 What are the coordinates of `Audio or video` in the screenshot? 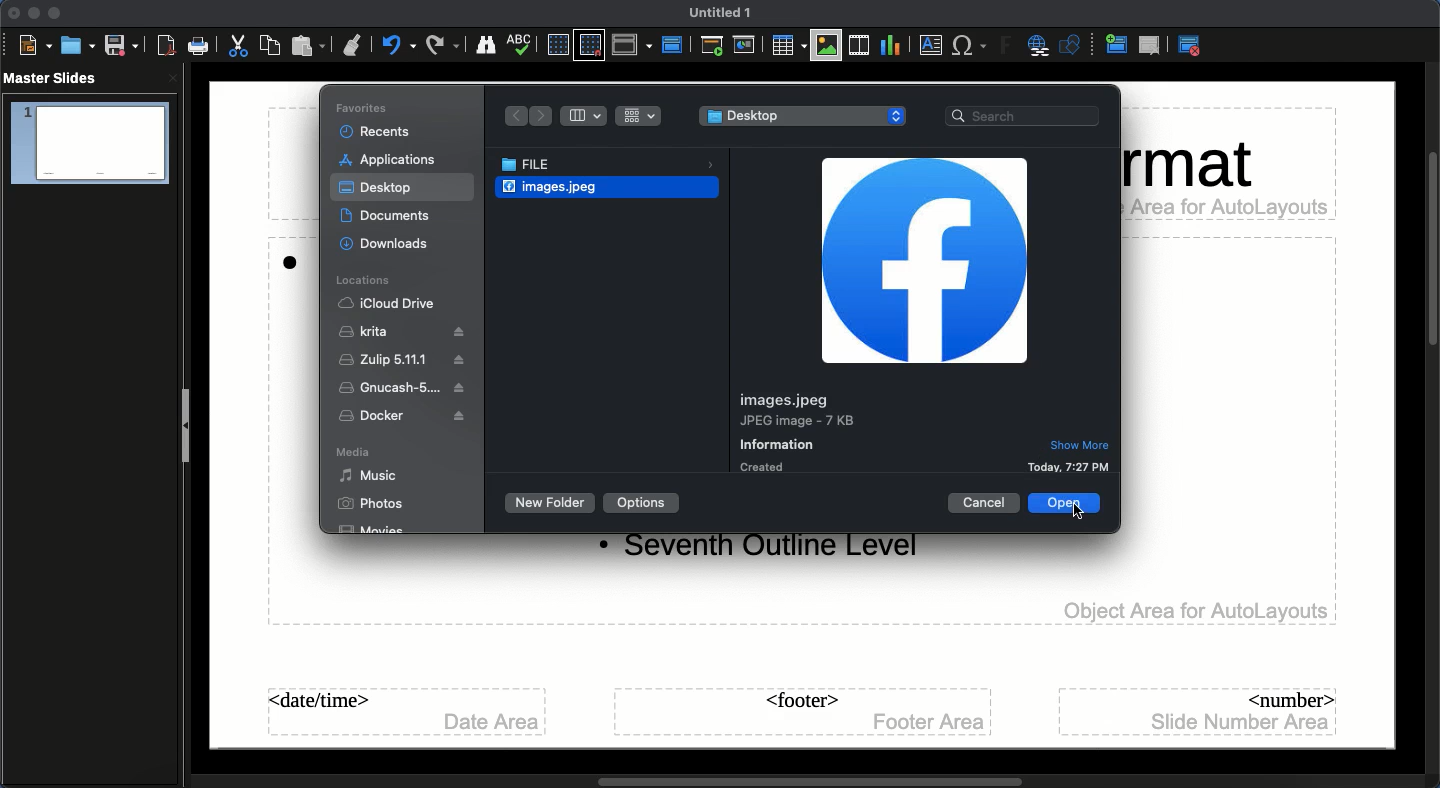 It's located at (858, 47).